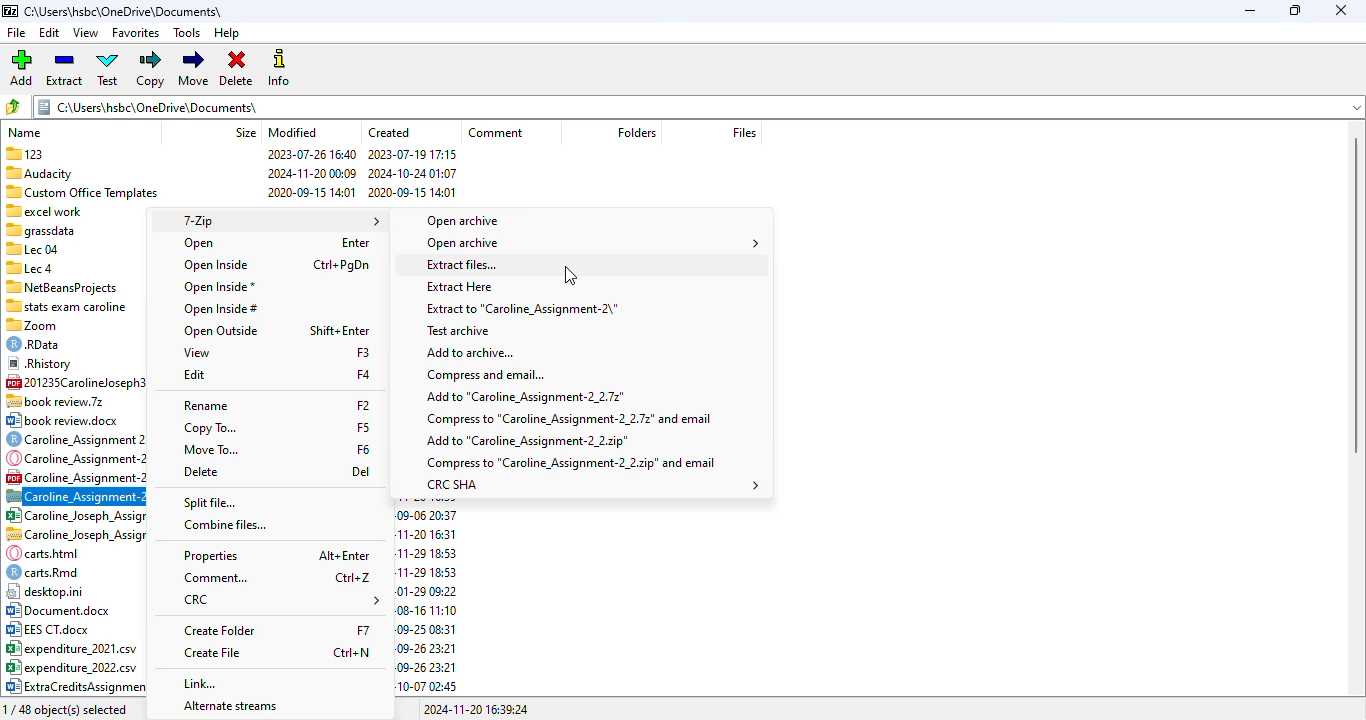  What do you see at coordinates (1295, 11) in the screenshot?
I see `maximize` at bounding box center [1295, 11].